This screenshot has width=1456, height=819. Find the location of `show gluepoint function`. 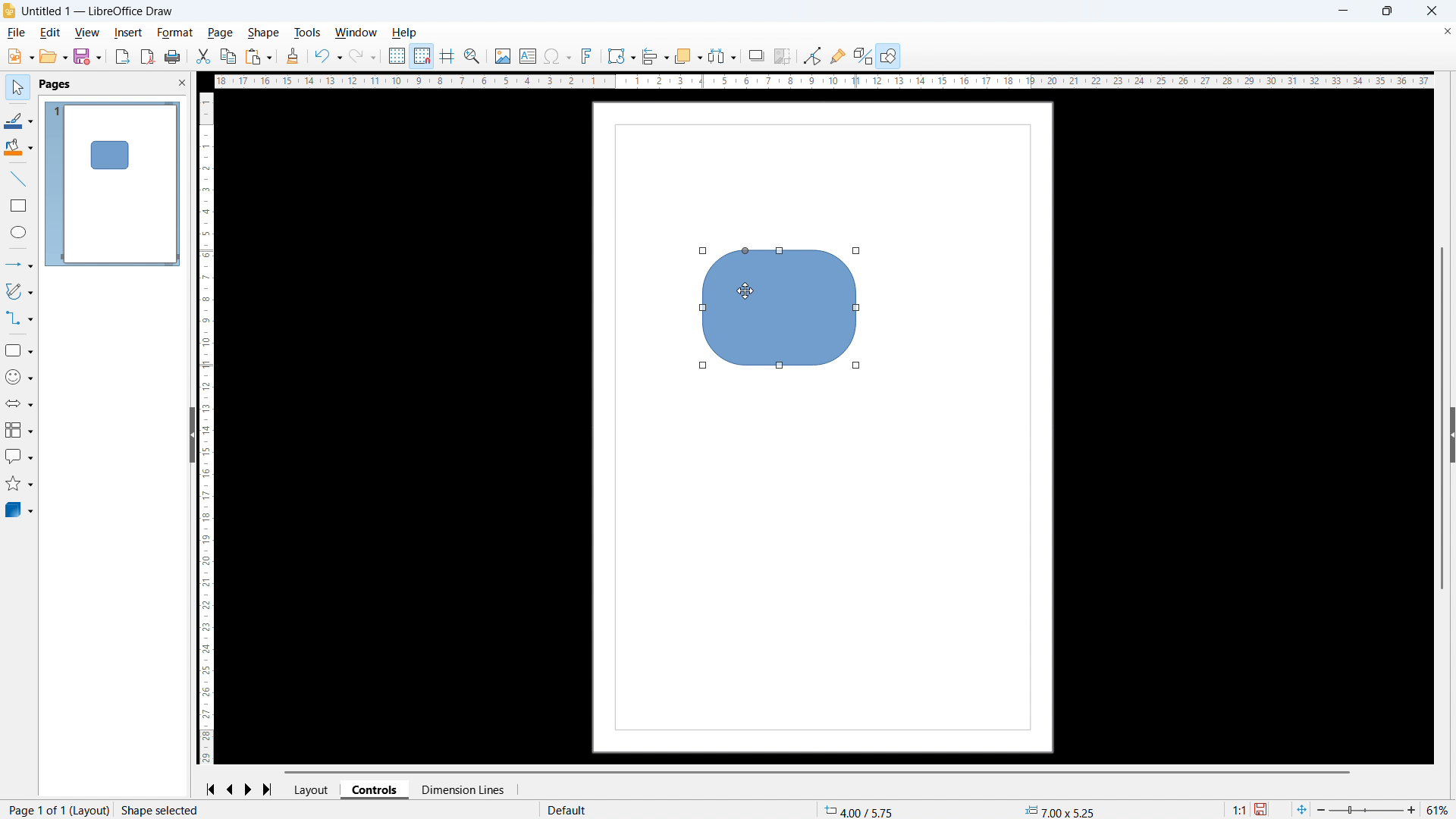

show gluepoint function is located at coordinates (837, 55).